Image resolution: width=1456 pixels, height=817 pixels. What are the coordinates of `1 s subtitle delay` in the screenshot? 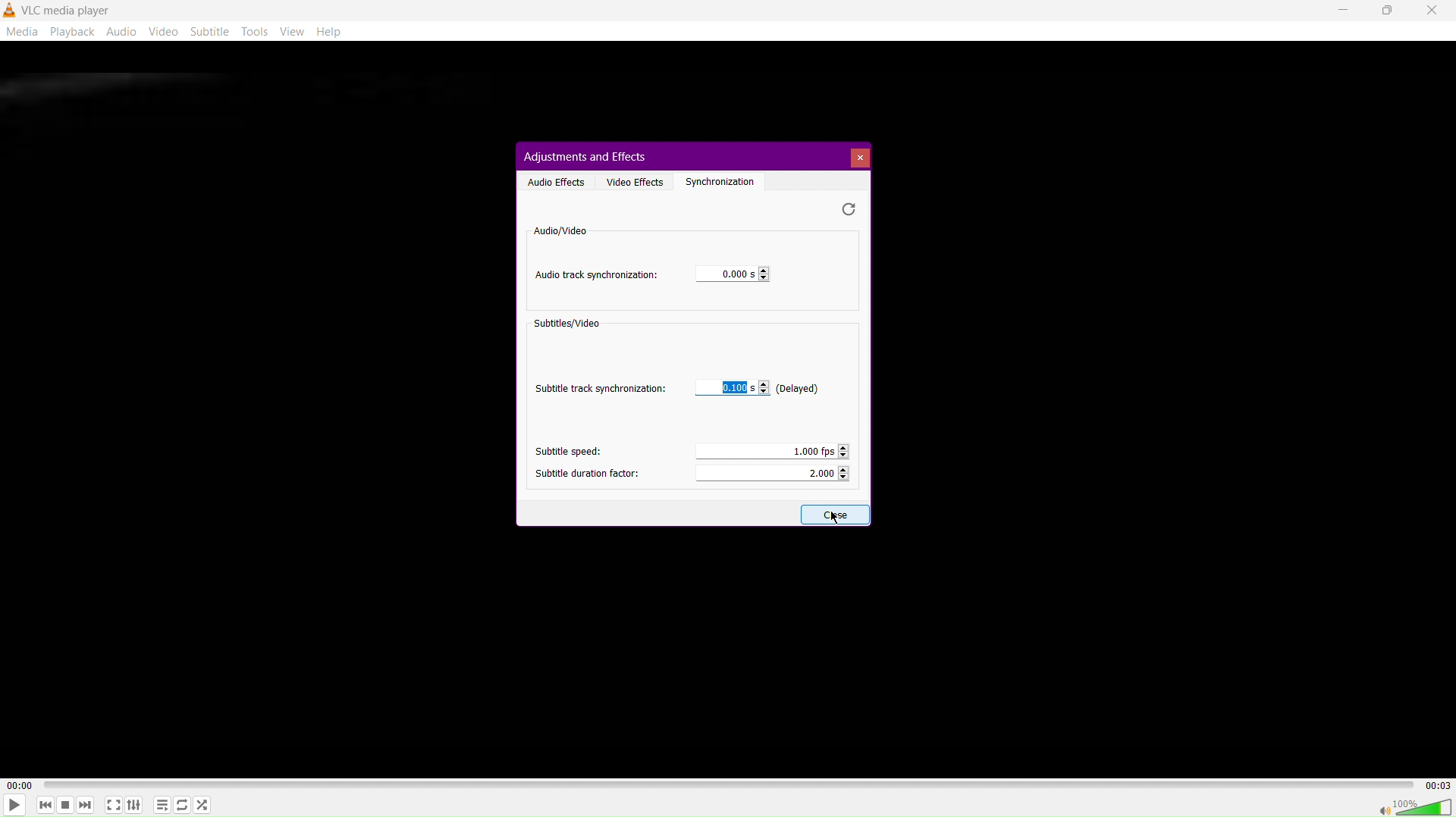 It's located at (758, 389).